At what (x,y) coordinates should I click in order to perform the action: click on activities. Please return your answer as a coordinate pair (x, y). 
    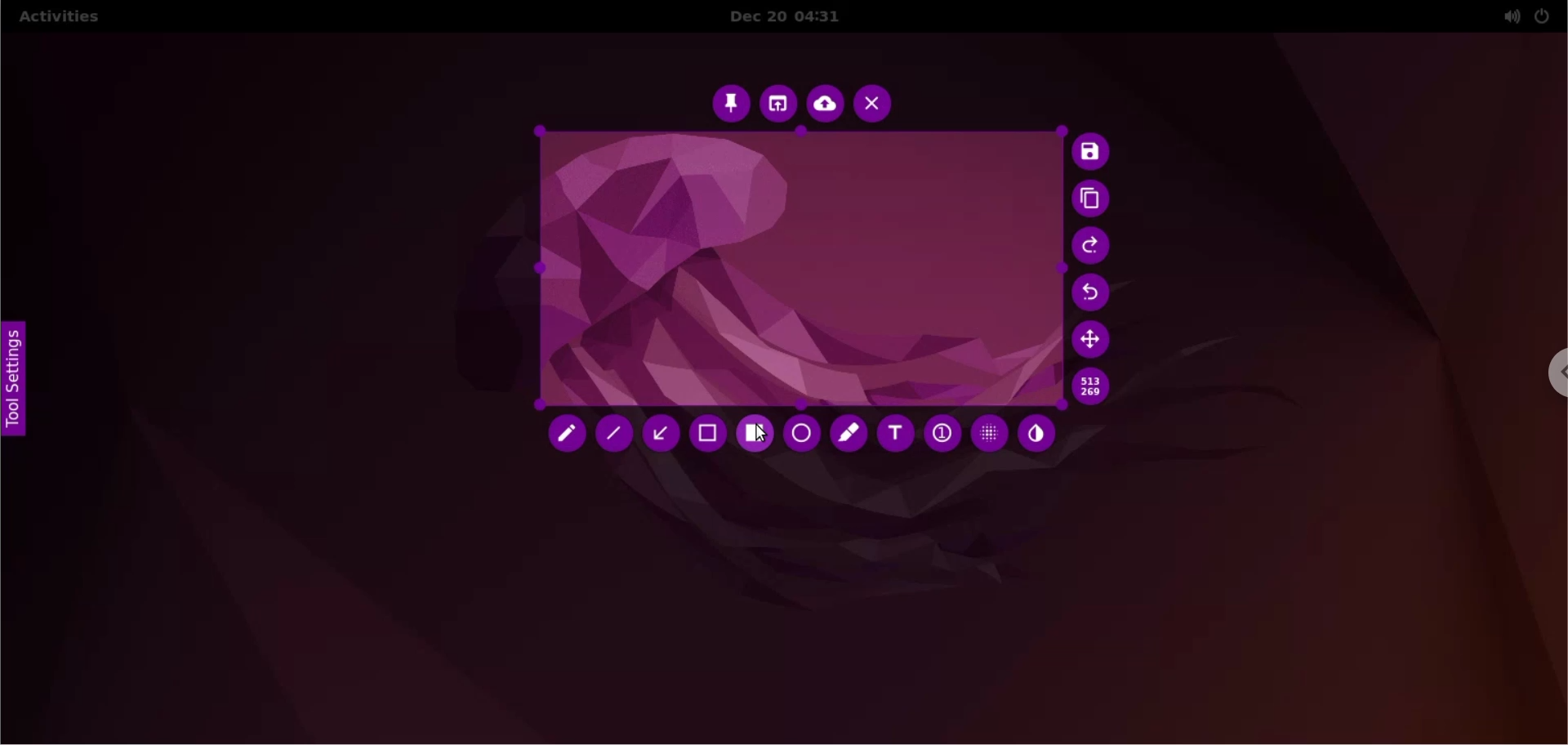
    Looking at the image, I should click on (65, 16).